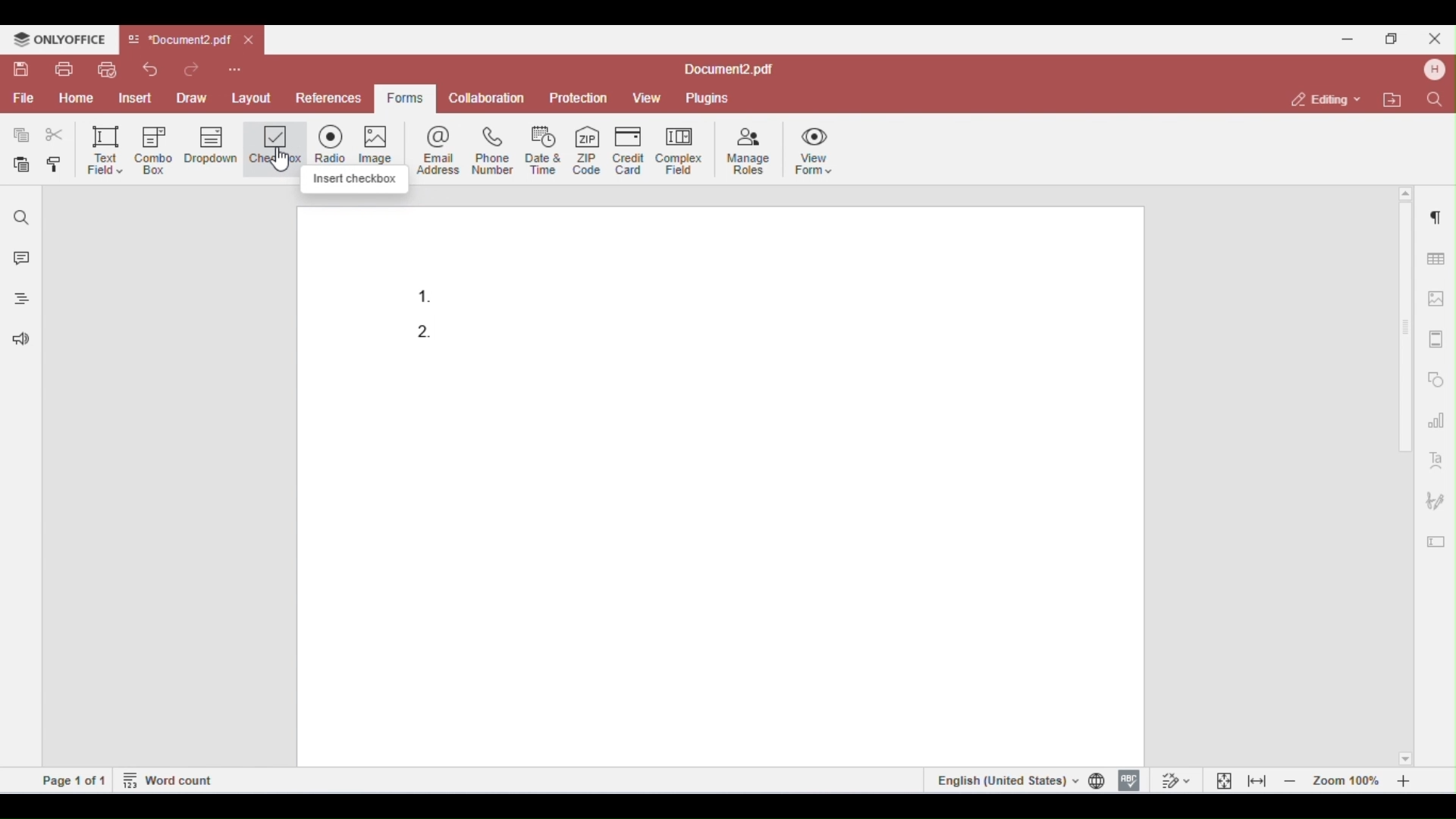 Image resolution: width=1456 pixels, height=819 pixels. What do you see at coordinates (1100, 780) in the screenshot?
I see `set document language` at bounding box center [1100, 780].